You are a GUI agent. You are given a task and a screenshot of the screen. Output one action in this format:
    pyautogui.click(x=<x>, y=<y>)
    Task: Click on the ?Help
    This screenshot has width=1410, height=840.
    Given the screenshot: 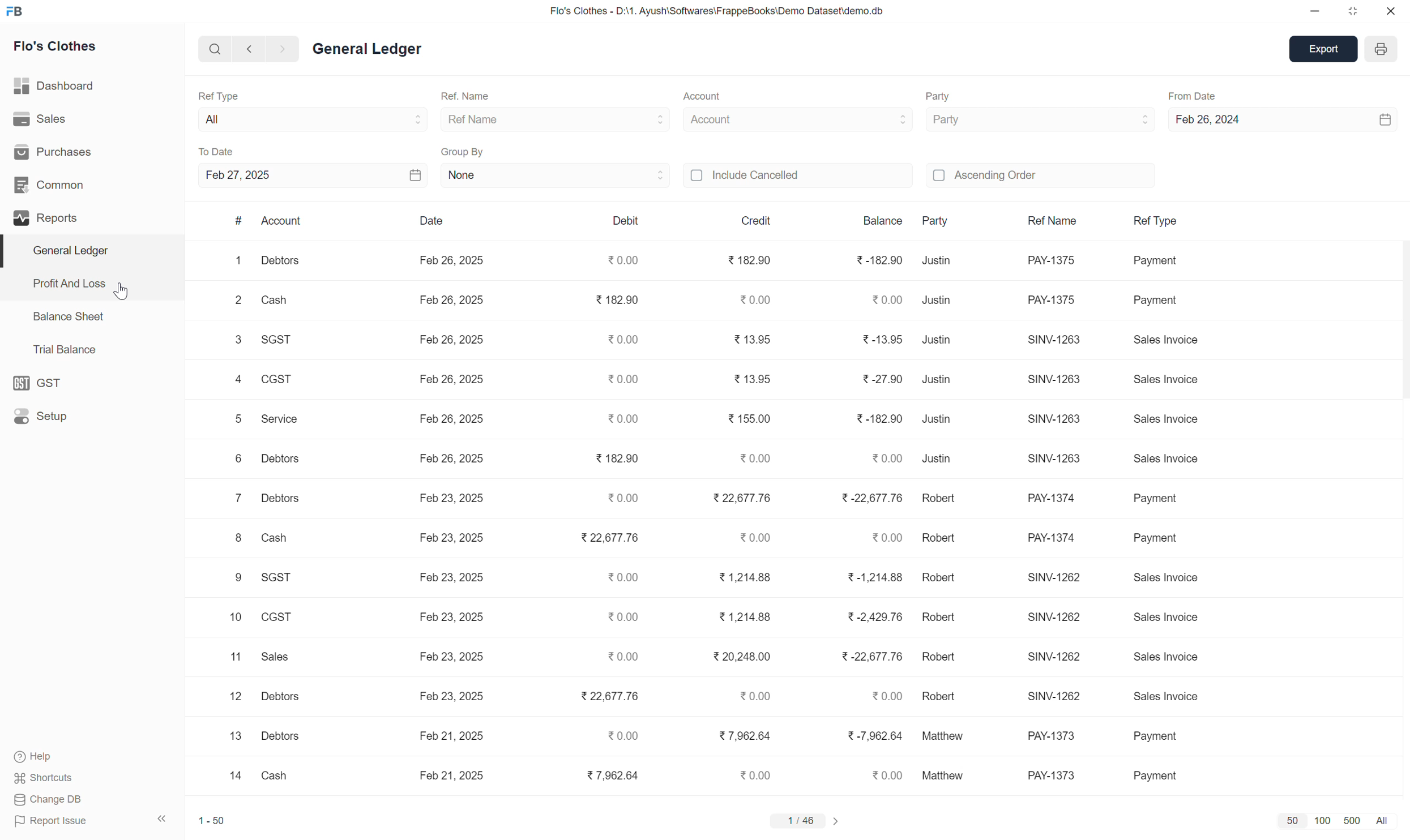 What is the action you would take?
    pyautogui.click(x=54, y=756)
    